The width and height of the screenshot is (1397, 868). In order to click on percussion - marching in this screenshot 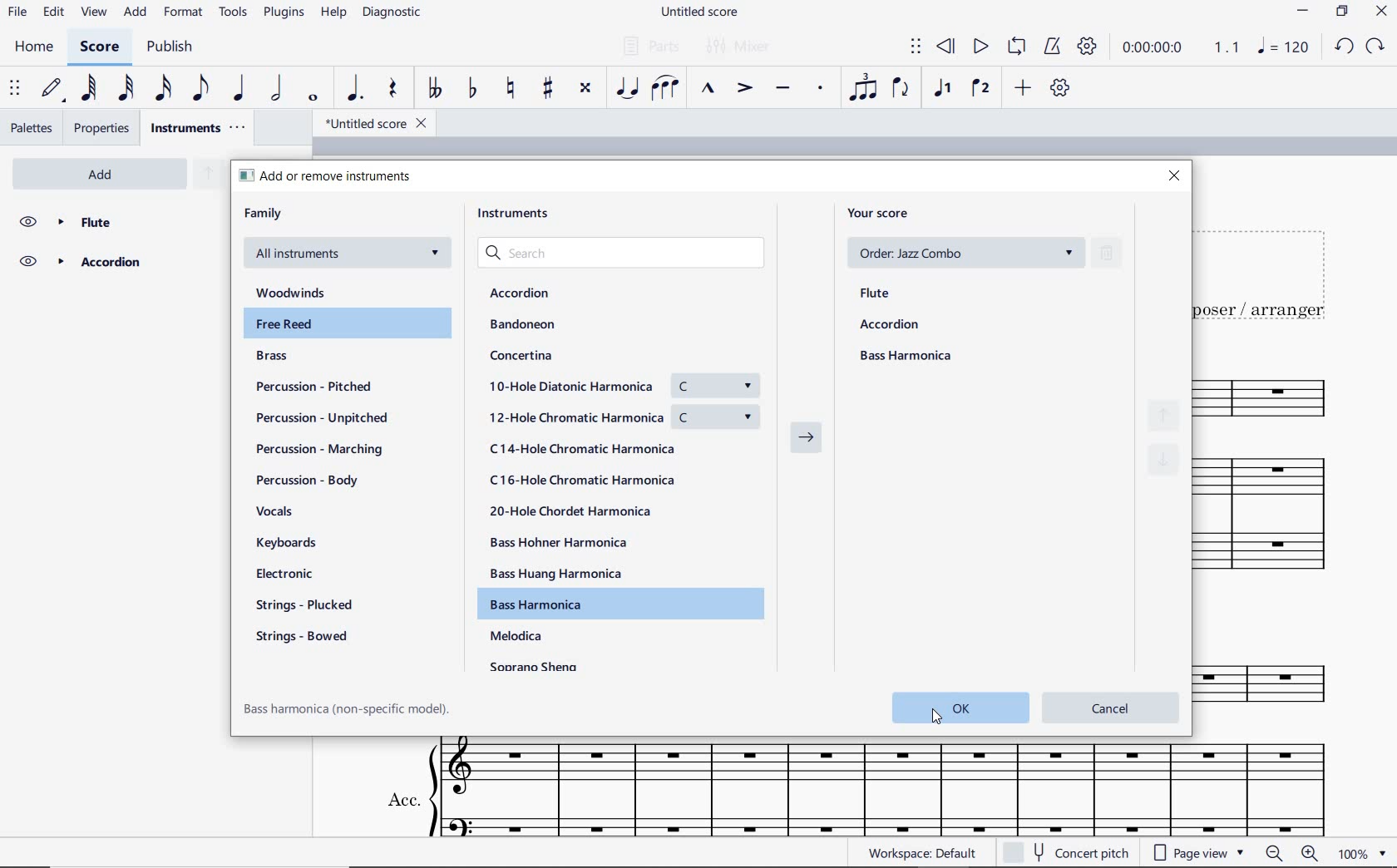, I will do `click(327, 450)`.